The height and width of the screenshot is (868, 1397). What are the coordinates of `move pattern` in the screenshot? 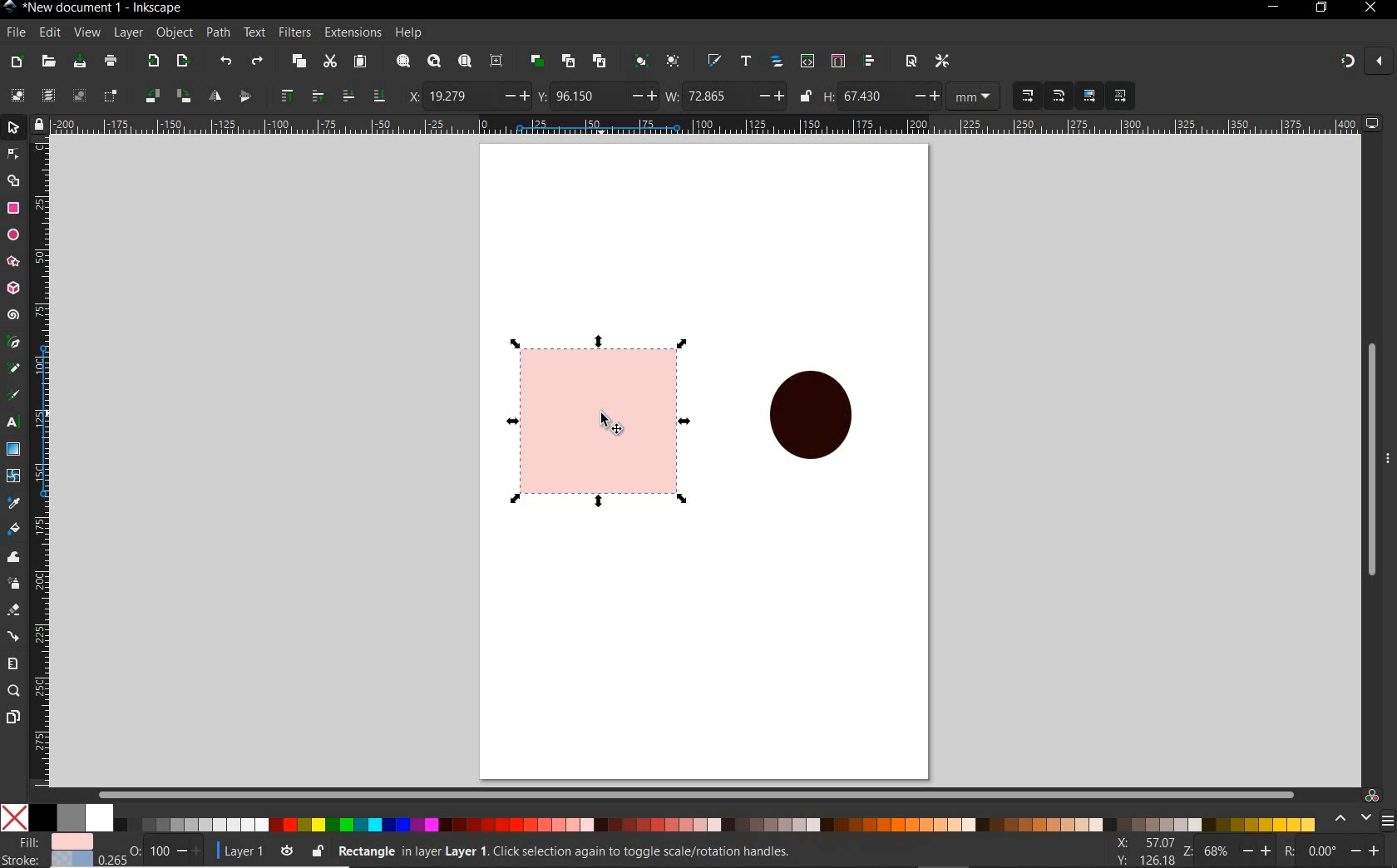 It's located at (1118, 96).